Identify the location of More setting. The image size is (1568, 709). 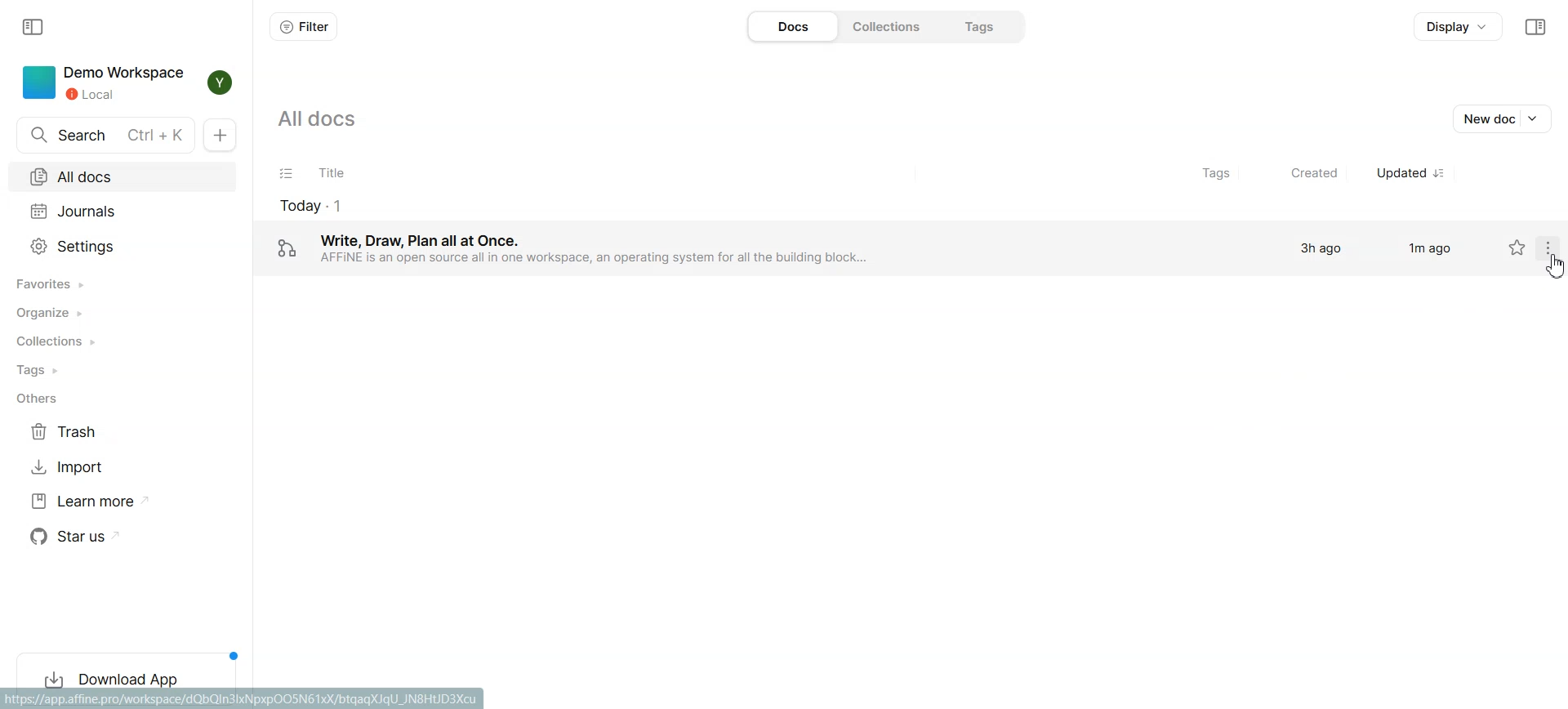
(1552, 247).